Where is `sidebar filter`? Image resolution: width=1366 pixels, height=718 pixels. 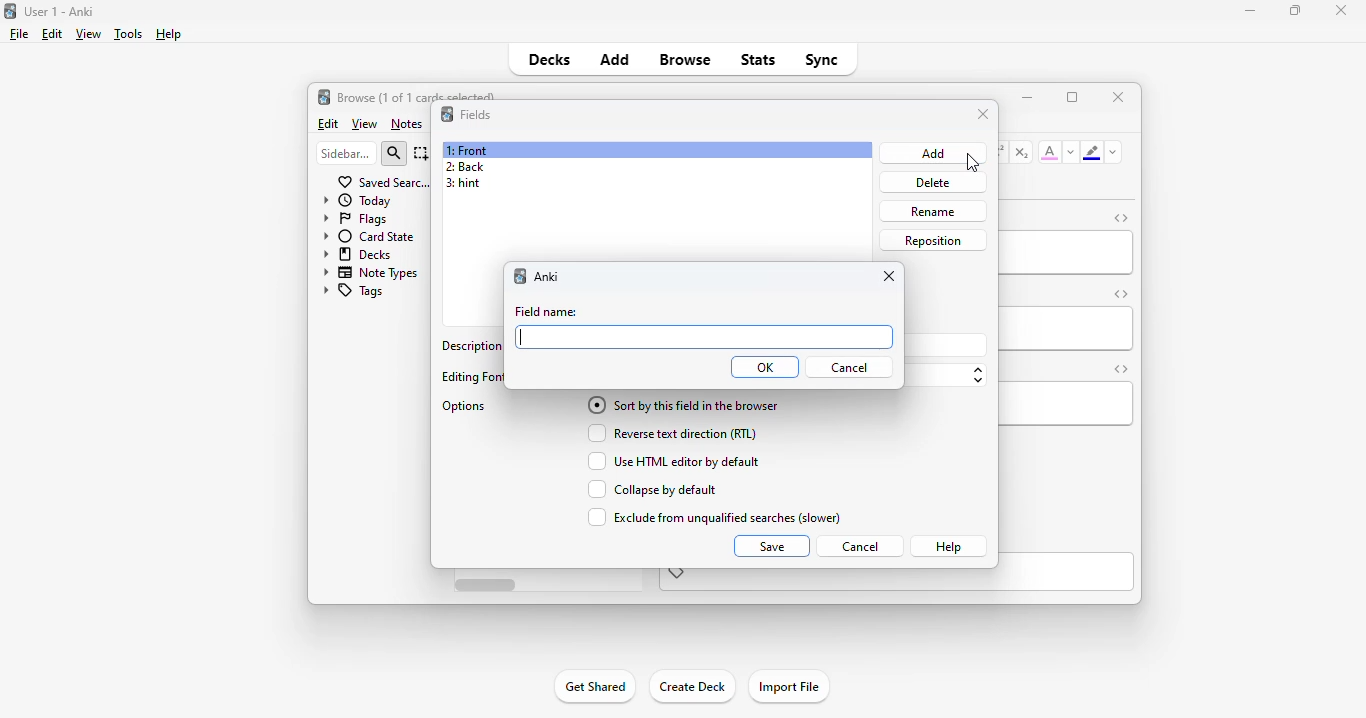 sidebar filter is located at coordinates (346, 153).